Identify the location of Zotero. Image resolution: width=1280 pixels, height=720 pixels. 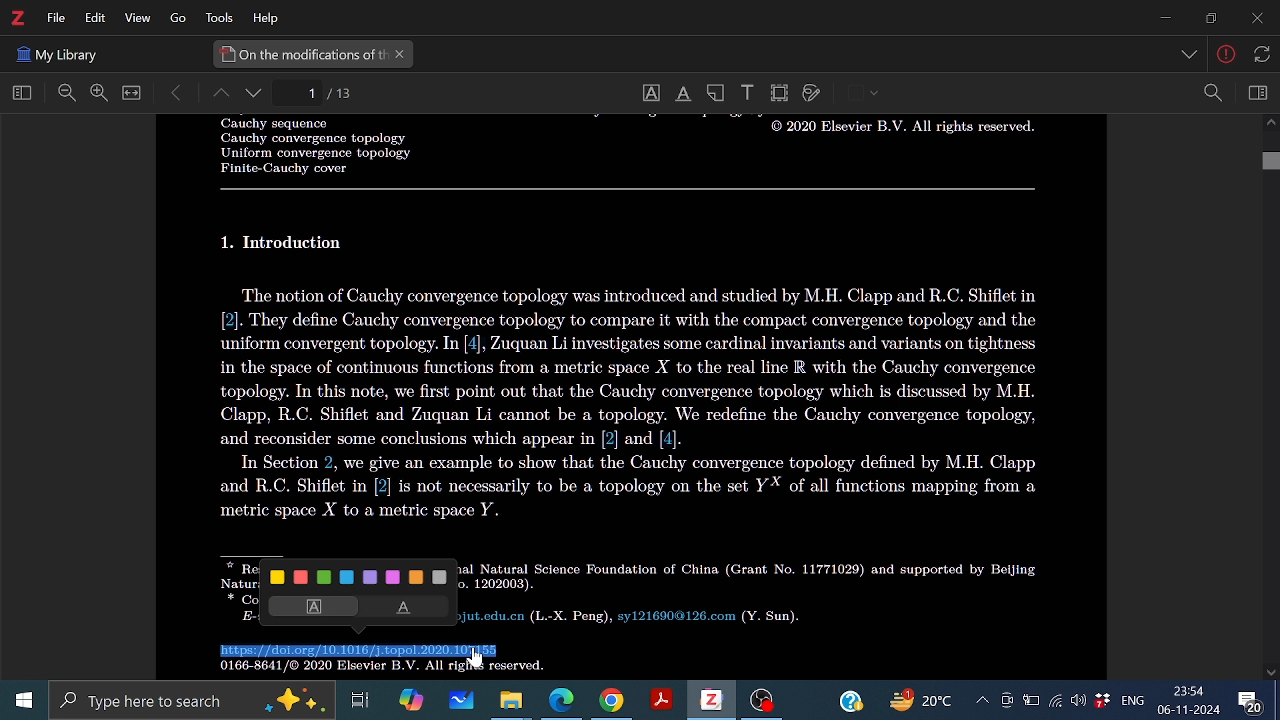
(710, 700).